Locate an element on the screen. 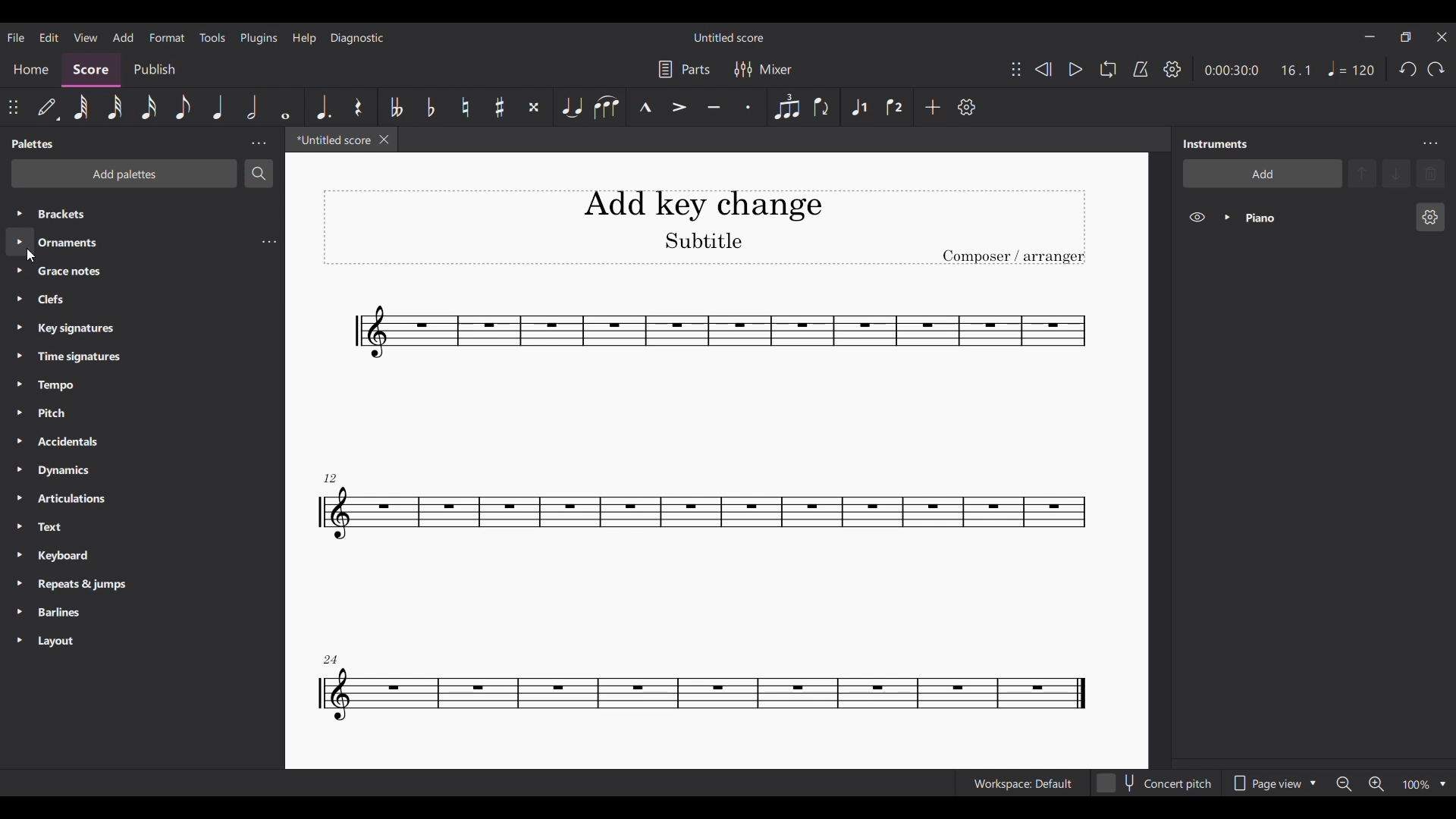 The image size is (1456, 819). Tie is located at coordinates (571, 107).